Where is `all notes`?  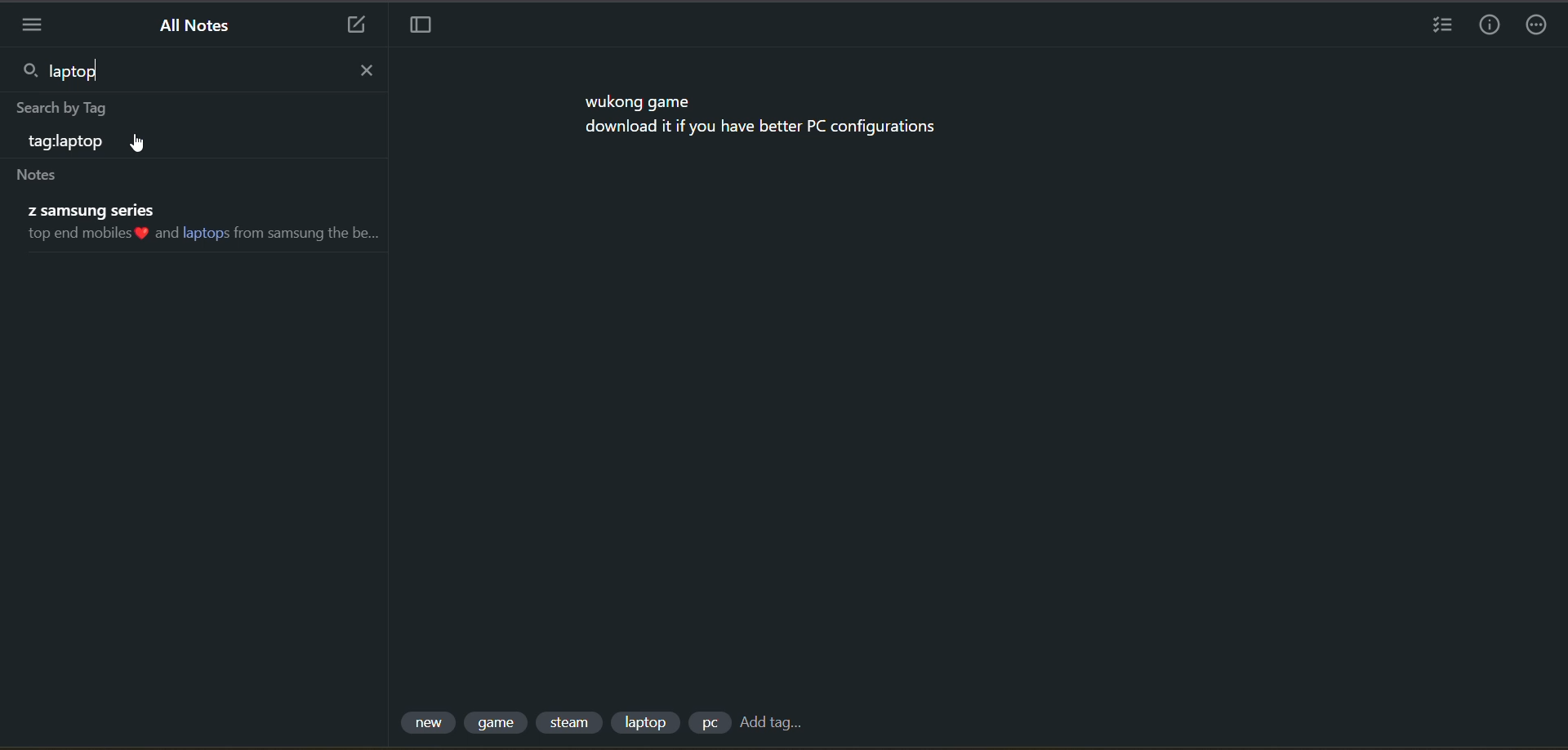 all notes is located at coordinates (198, 28).